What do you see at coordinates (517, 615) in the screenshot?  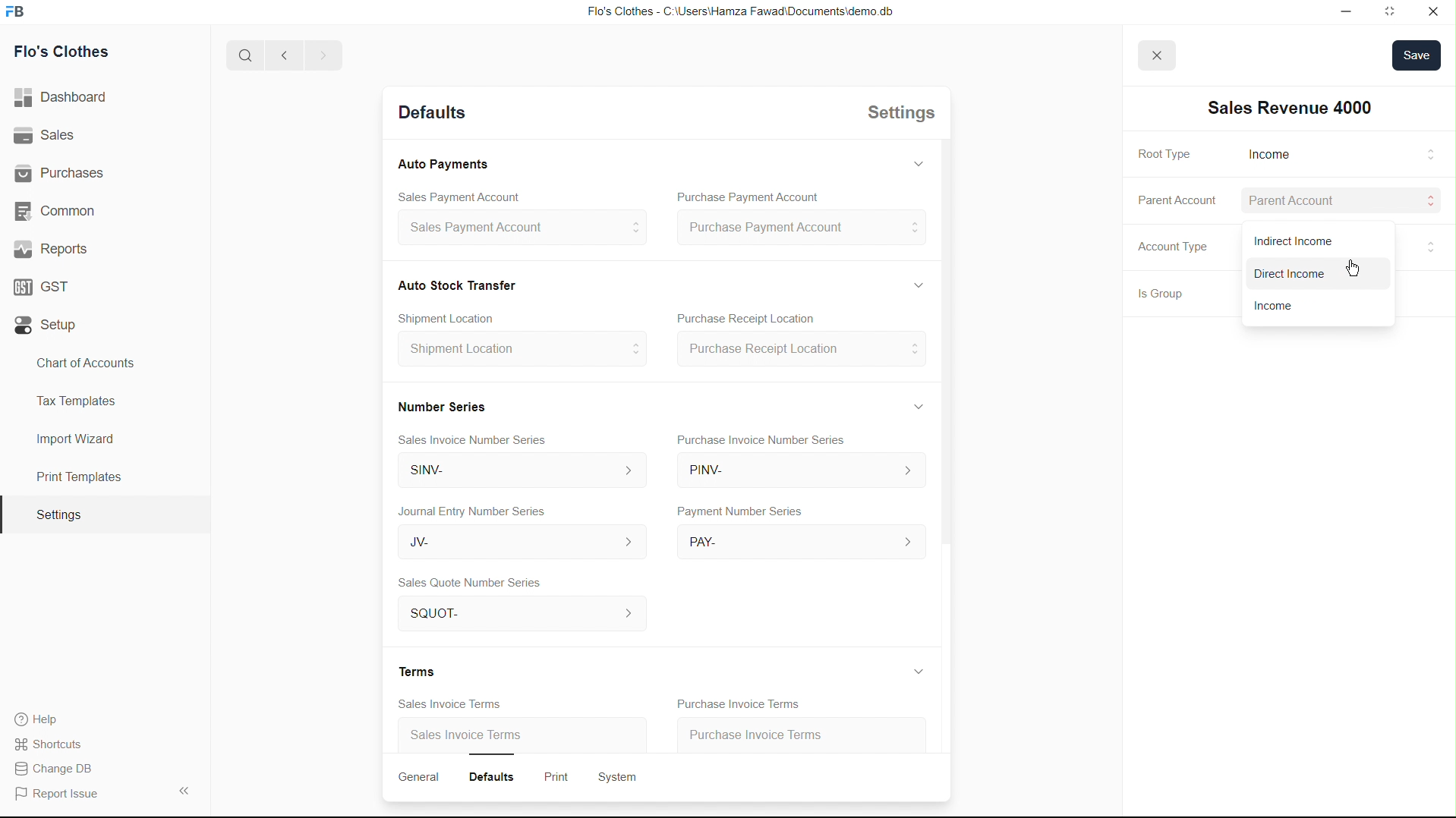 I see `SQuOT- >` at bounding box center [517, 615].